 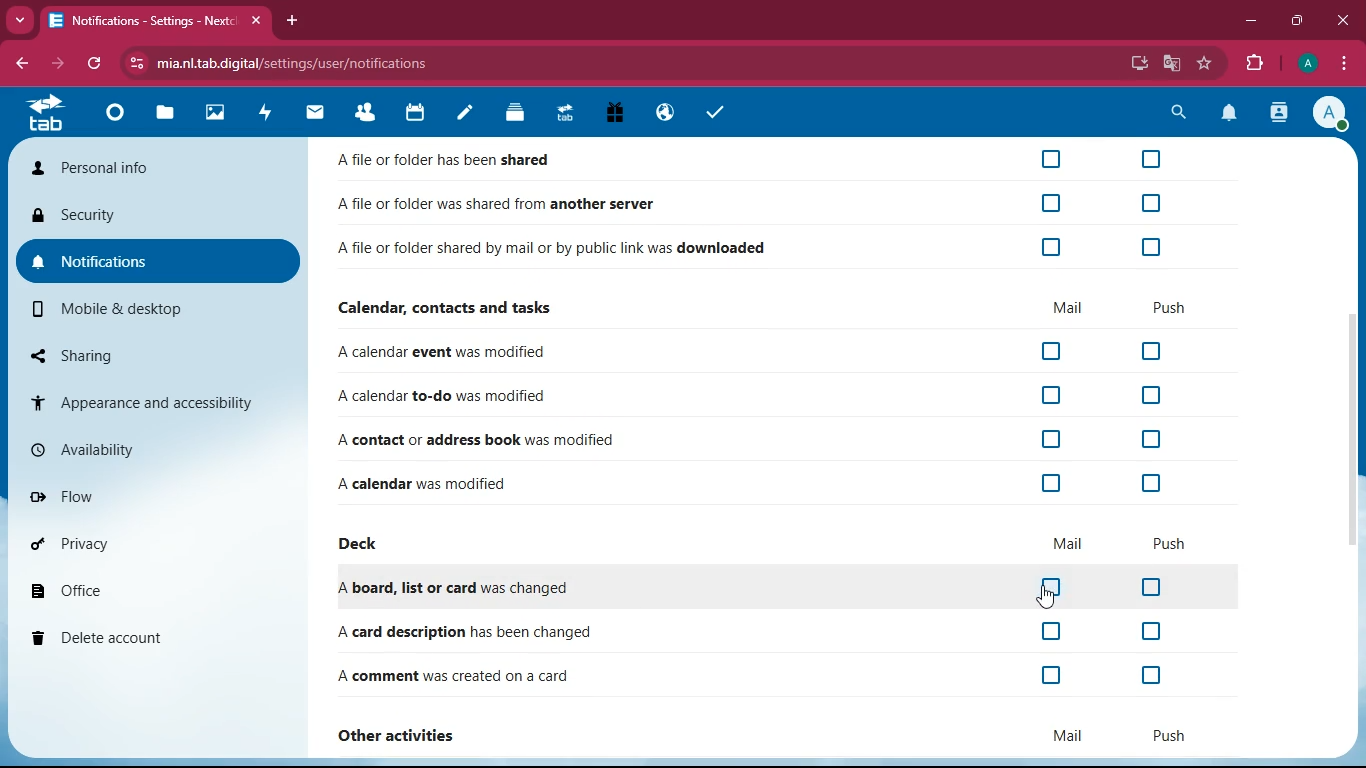 What do you see at coordinates (1069, 541) in the screenshot?
I see `mail` at bounding box center [1069, 541].